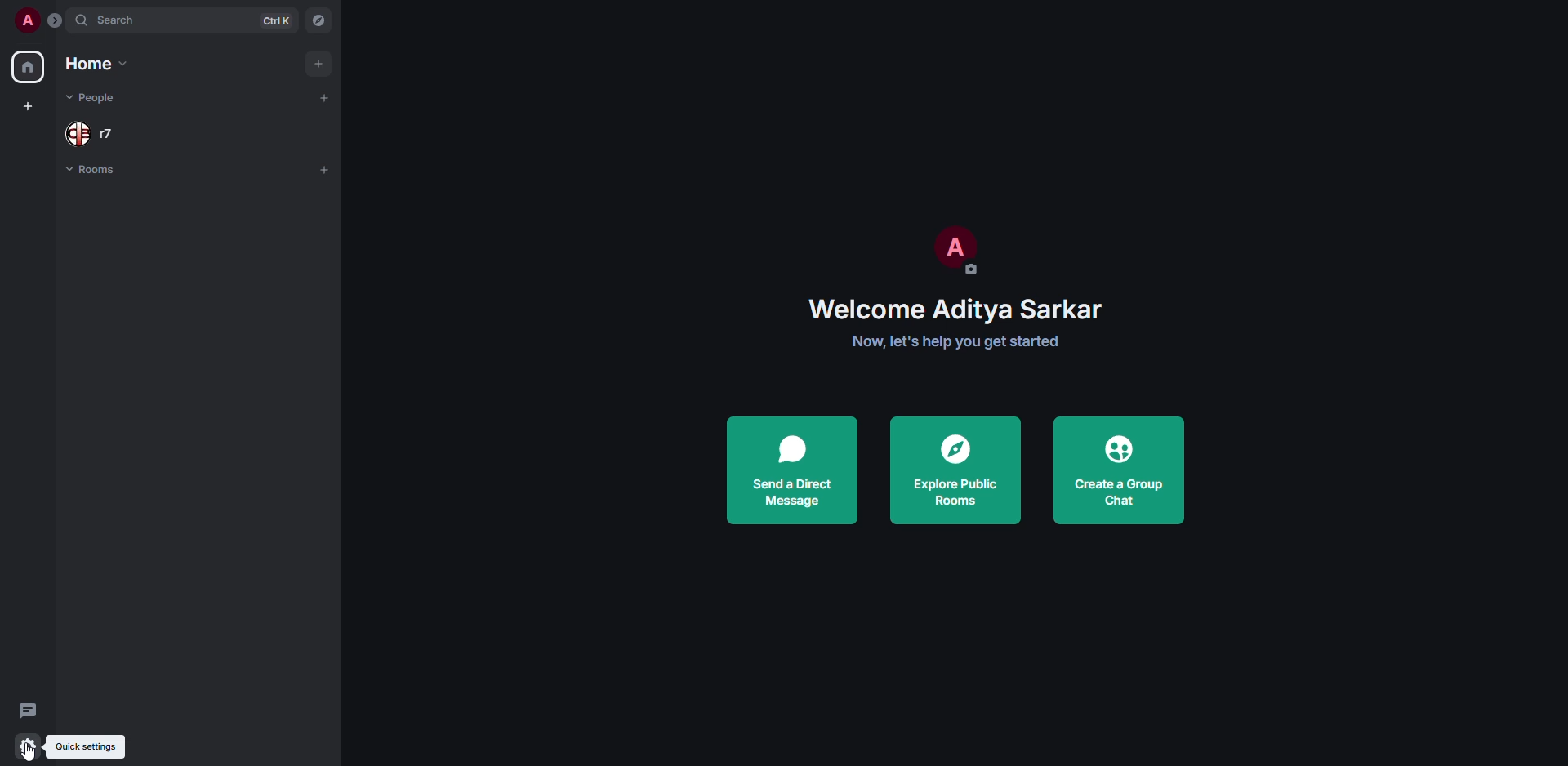 This screenshot has width=1568, height=766. I want to click on add, so click(325, 170).